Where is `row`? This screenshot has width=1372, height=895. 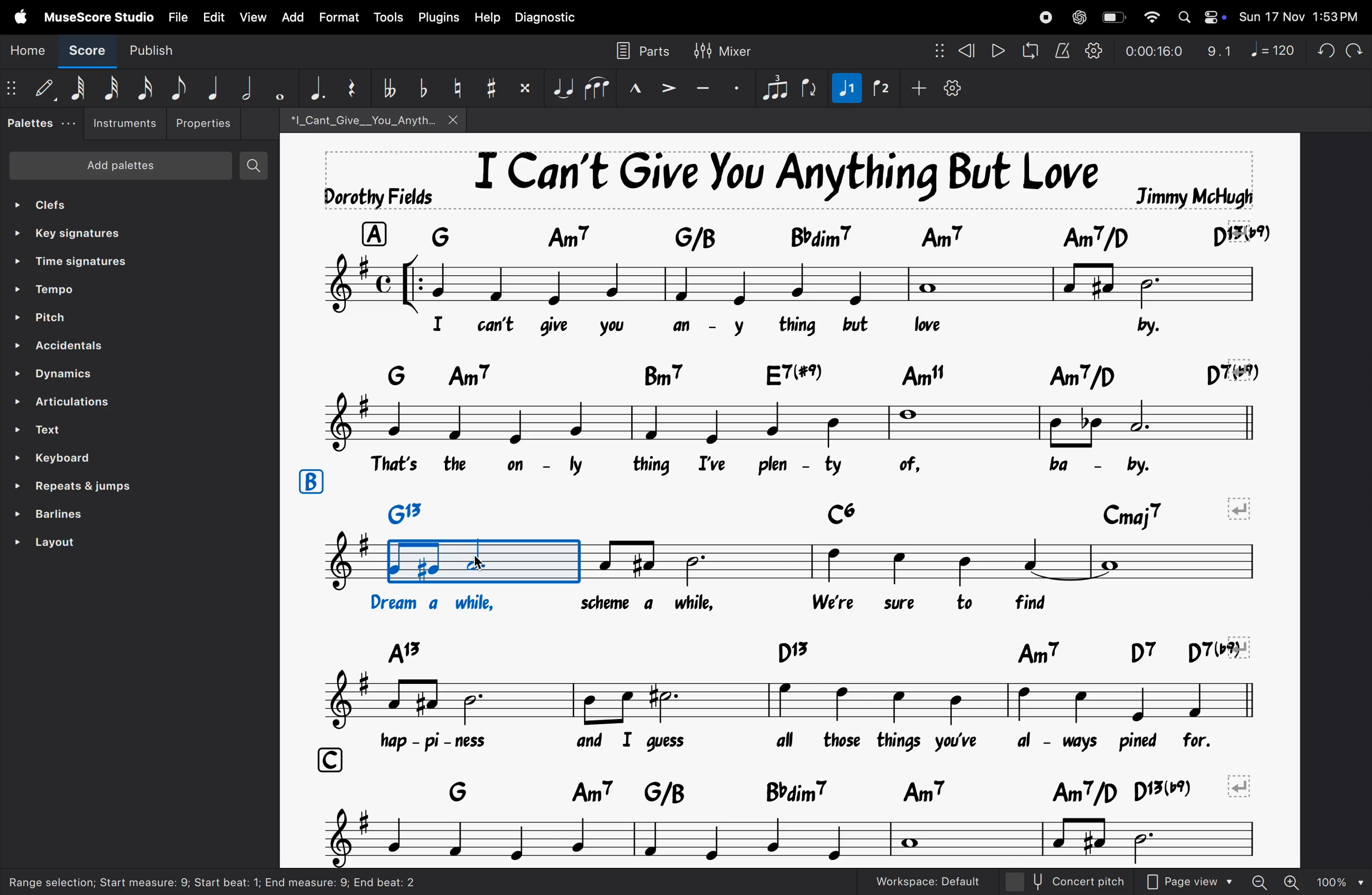
row is located at coordinates (311, 482).